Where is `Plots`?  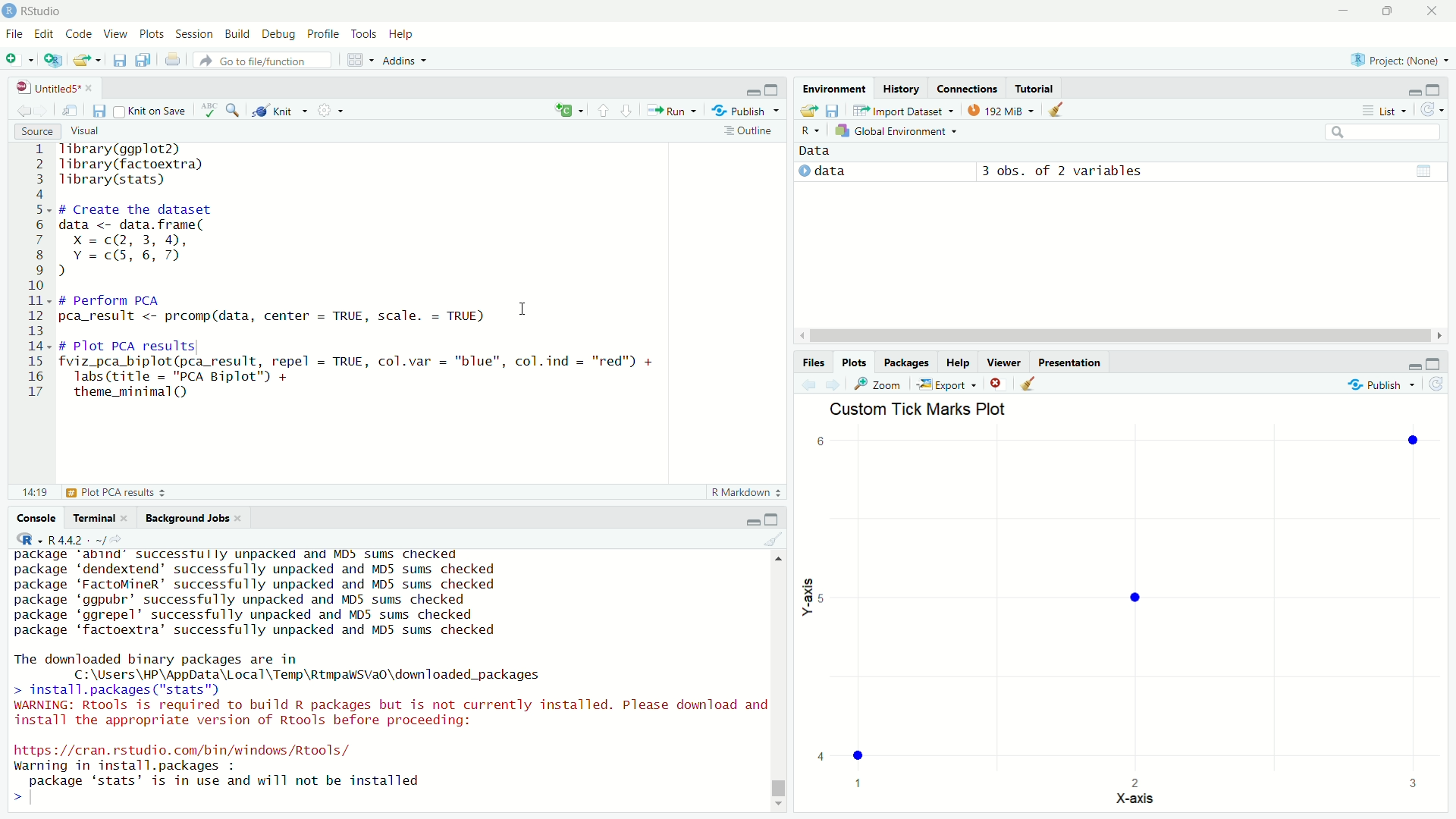 Plots is located at coordinates (855, 362).